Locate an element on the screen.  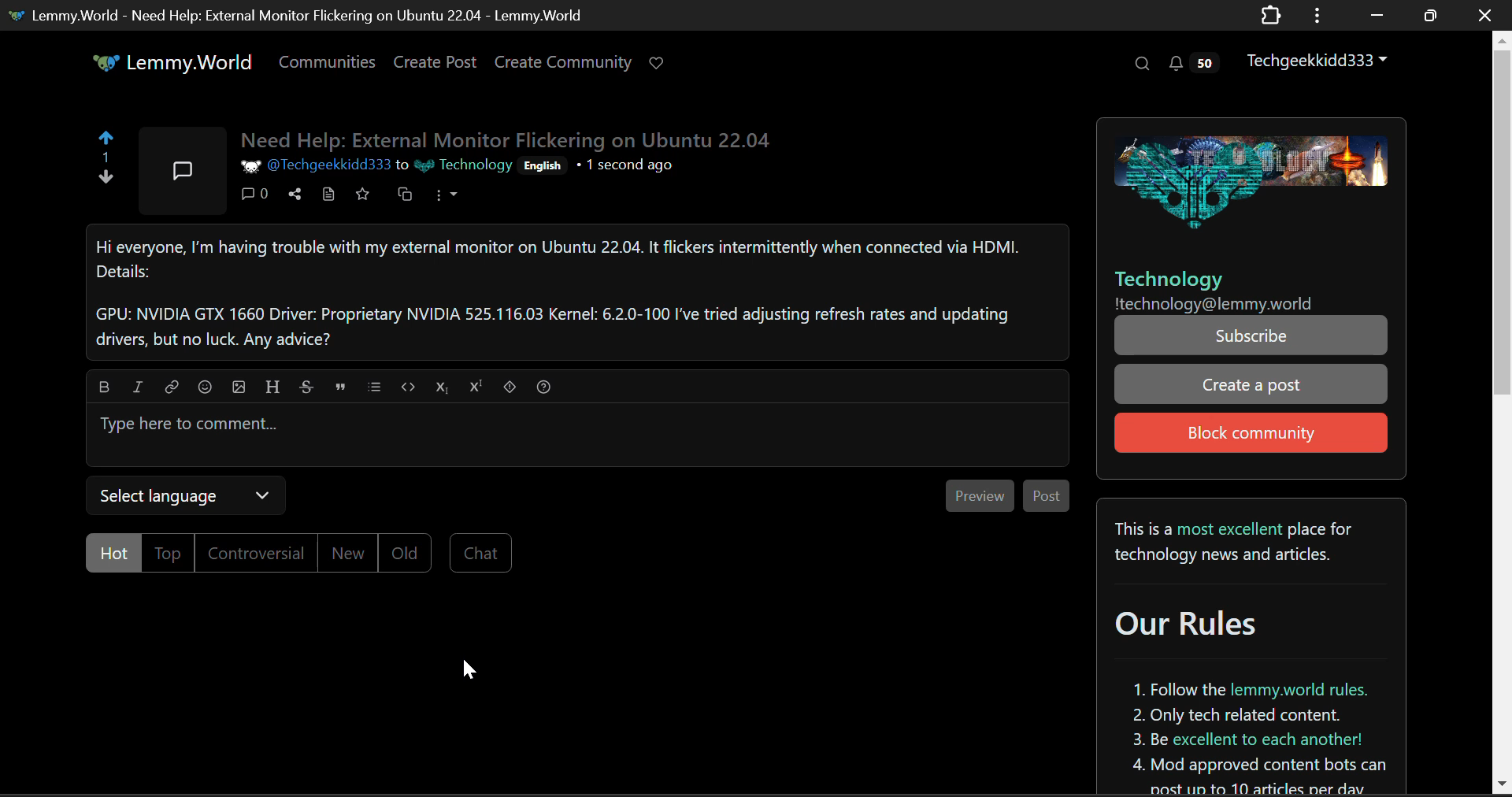
Share is located at coordinates (297, 195).